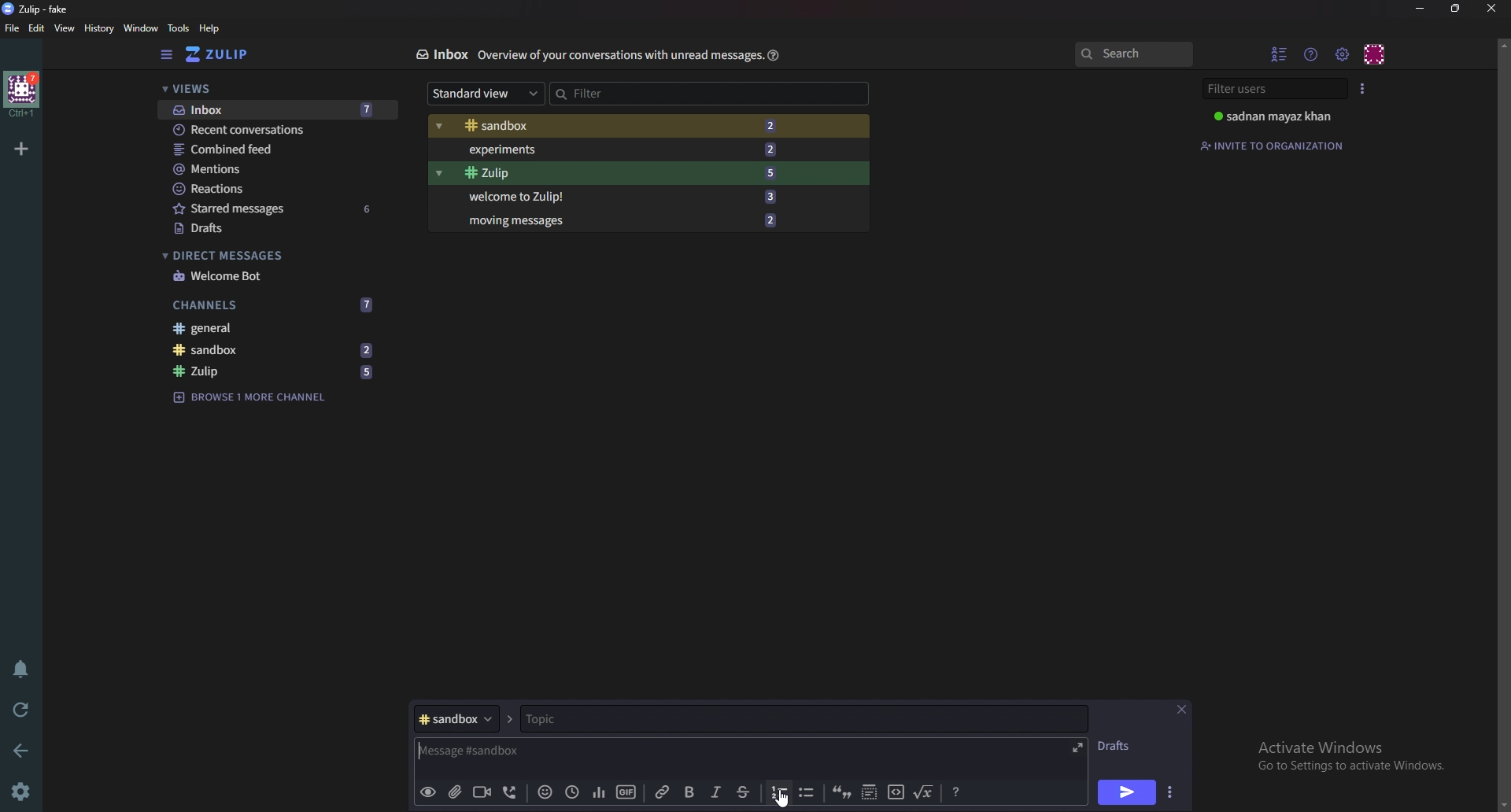 The width and height of the screenshot is (1511, 812). I want to click on Italic, so click(715, 795).